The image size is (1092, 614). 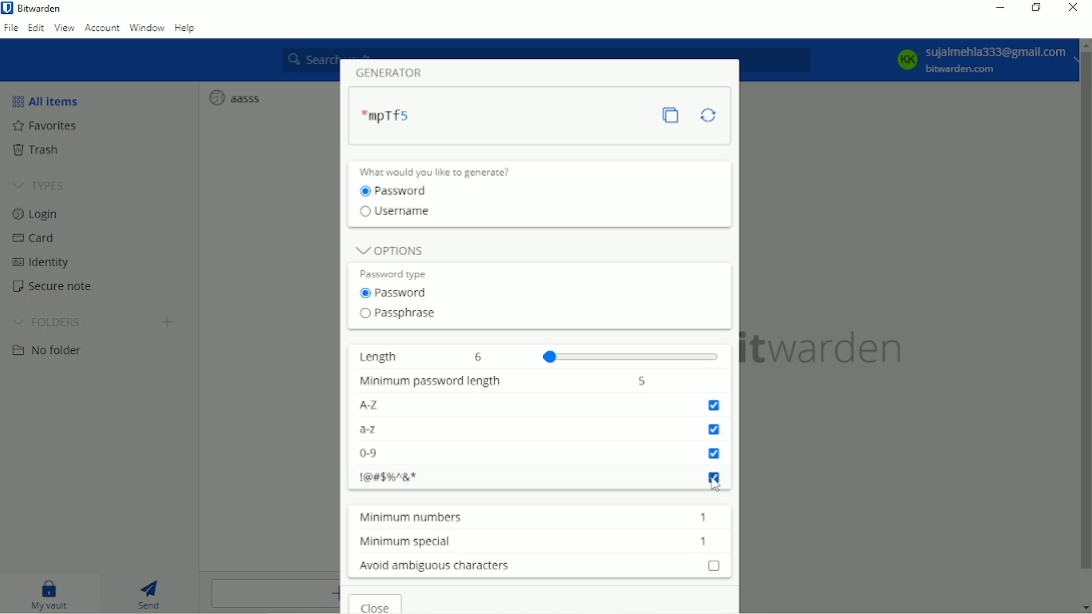 I want to click on Minimum special characters, so click(x=409, y=542).